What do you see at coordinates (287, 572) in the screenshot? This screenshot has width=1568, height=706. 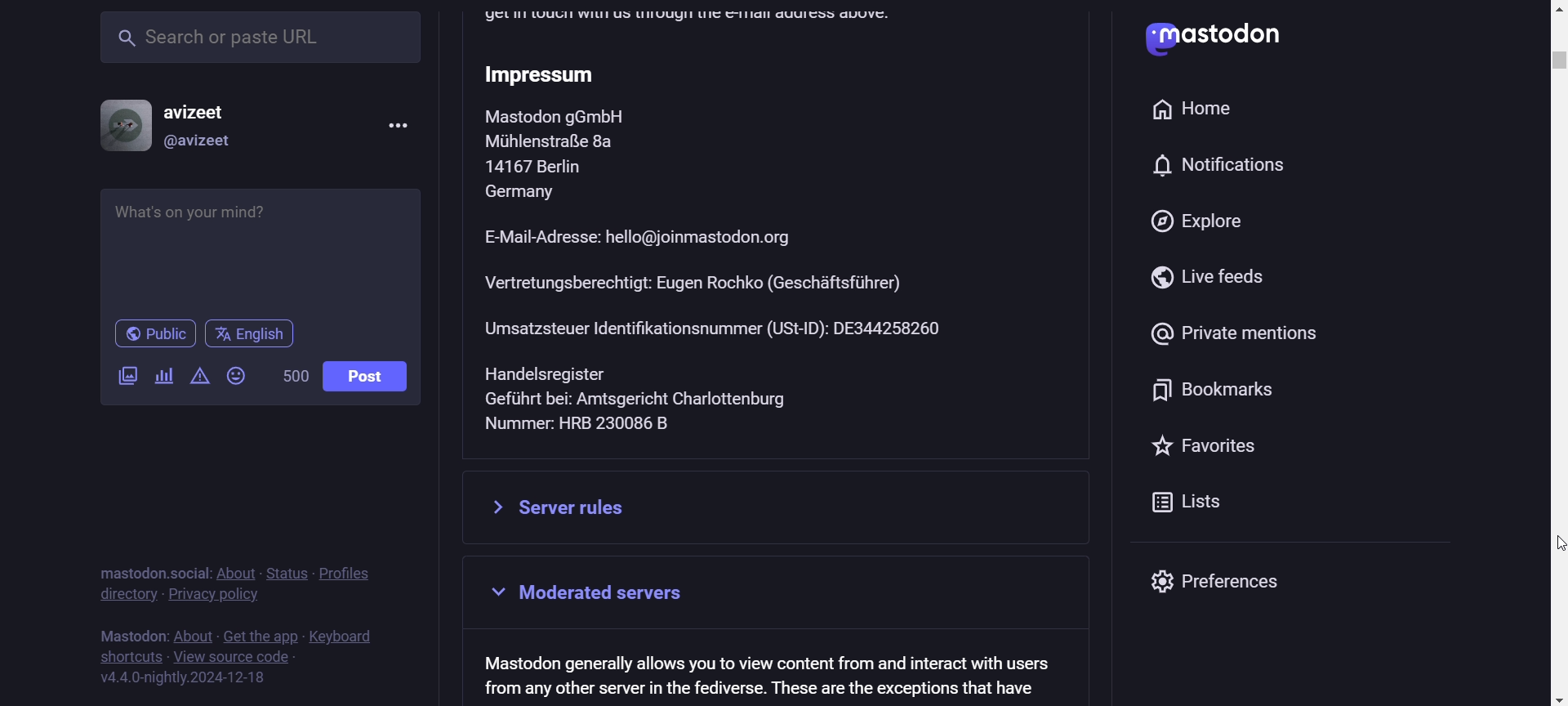 I see `status` at bounding box center [287, 572].